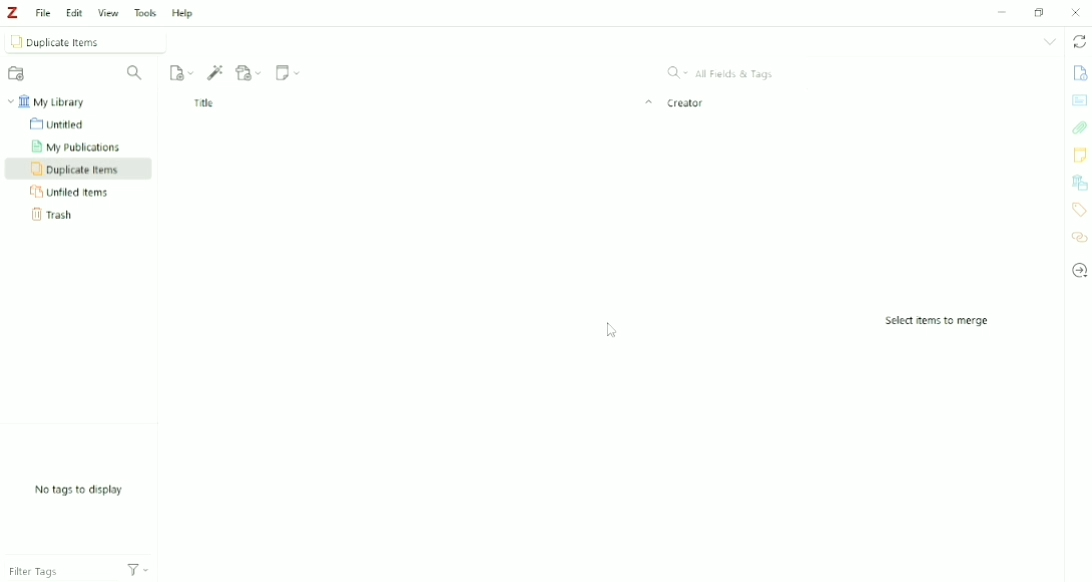 This screenshot has width=1092, height=582. What do you see at coordinates (721, 72) in the screenshot?
I see `All Fields & Tags` at bounding box center [721, 72].